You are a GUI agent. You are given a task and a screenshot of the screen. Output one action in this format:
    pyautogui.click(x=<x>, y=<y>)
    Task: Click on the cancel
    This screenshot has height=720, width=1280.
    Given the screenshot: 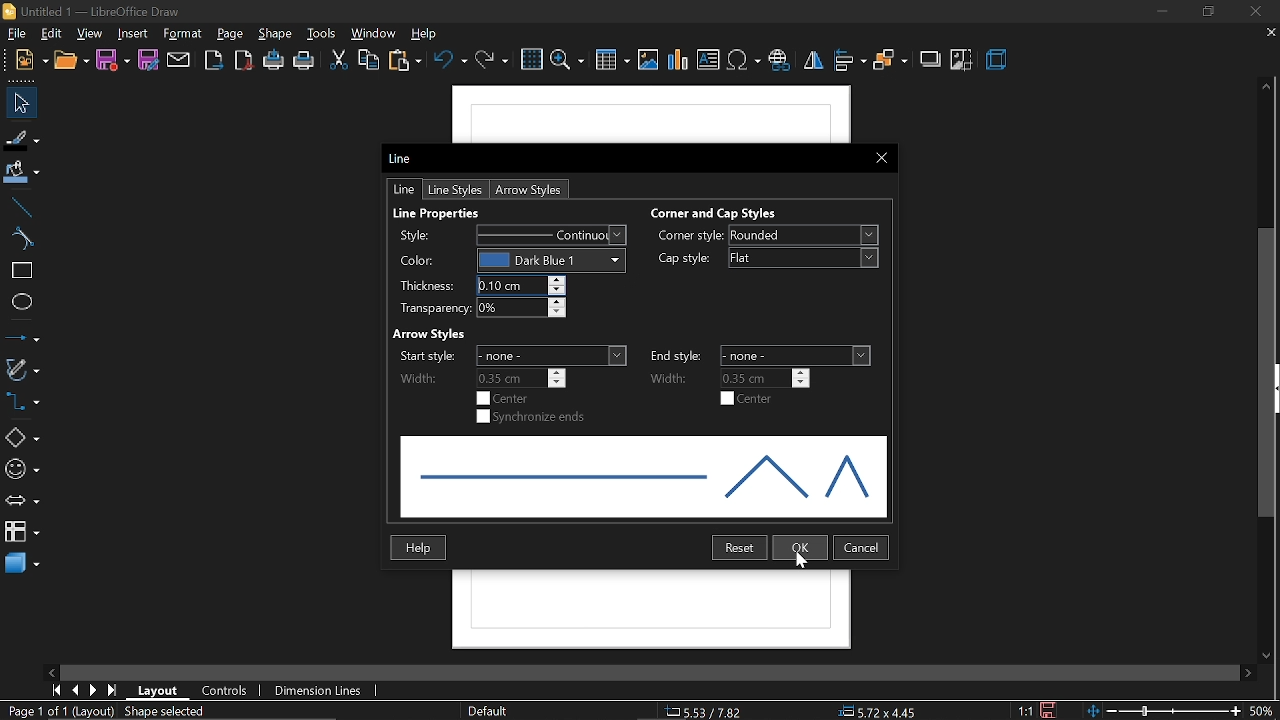 What is the action you would take?
    pyautogui.click(x=862, y=546)
    